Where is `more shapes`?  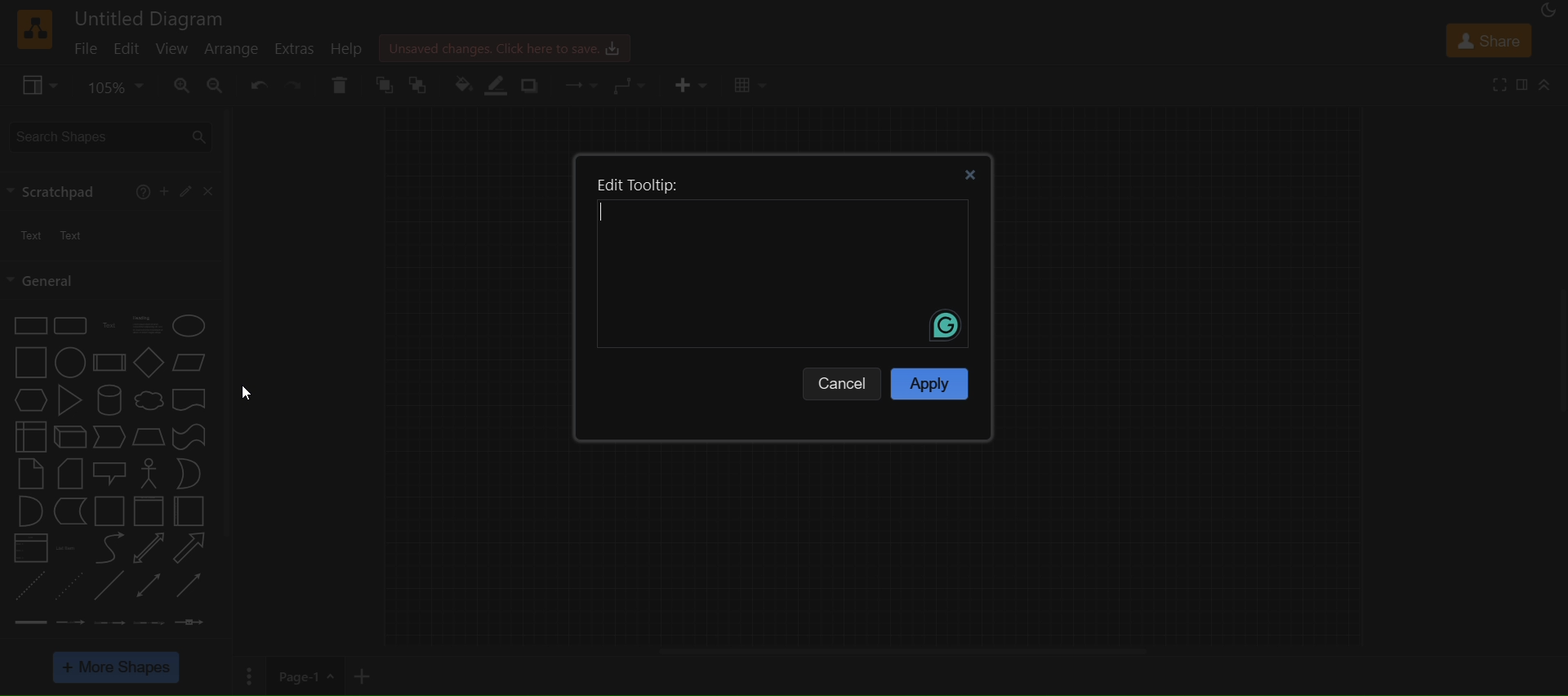
more shapes is located at coordinates (118, 667).